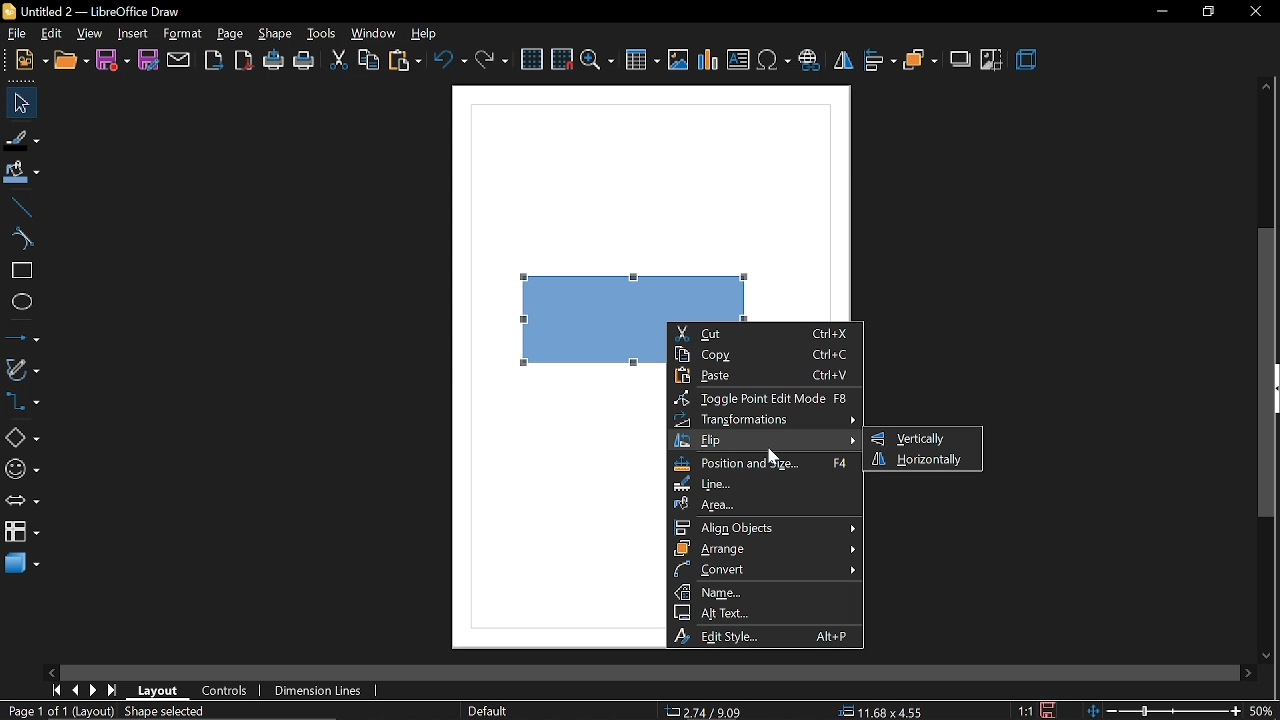 The width and height of the screenshot is (1280, 720). I want to click on 3d shapes, so click(22, 565).